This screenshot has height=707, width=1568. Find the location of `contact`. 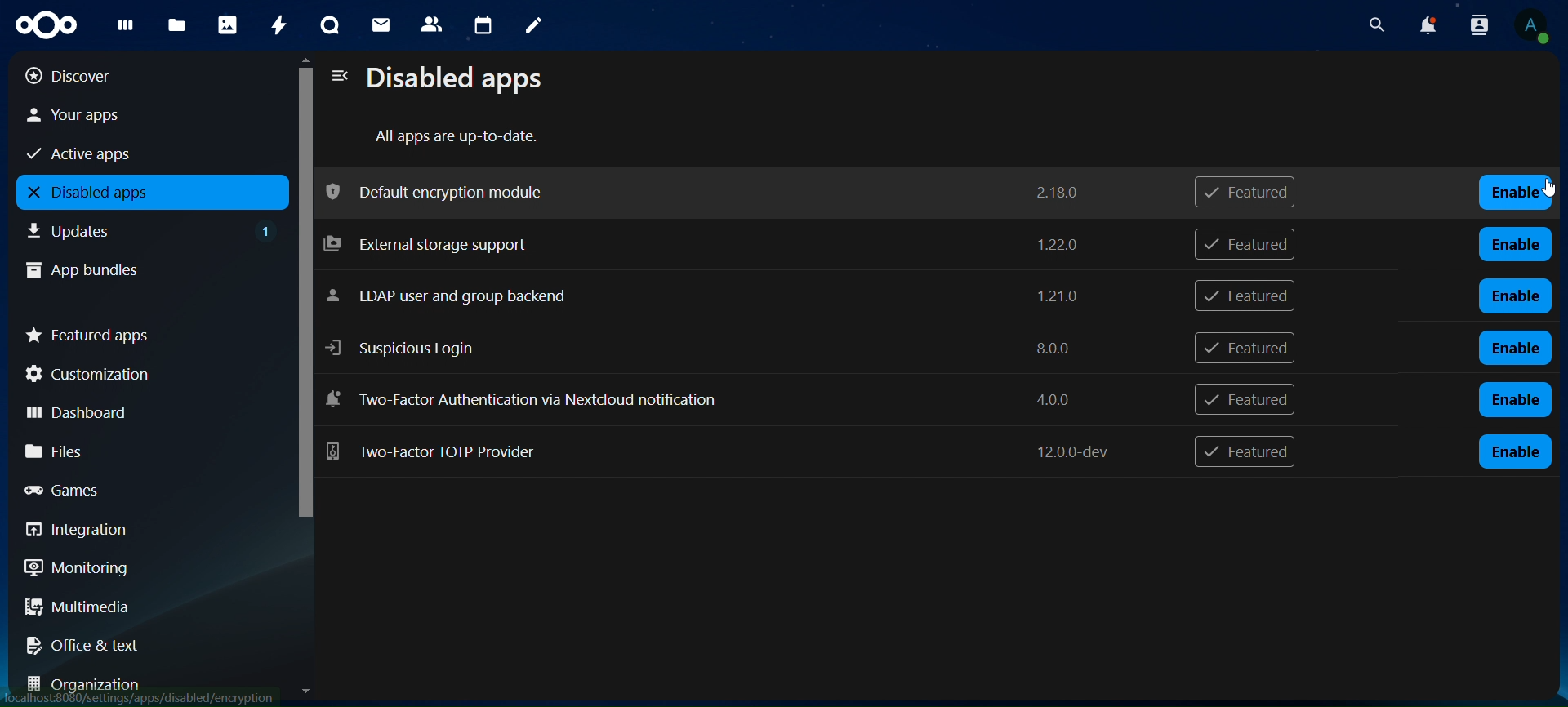

contact is located at coordinates (432, 23).